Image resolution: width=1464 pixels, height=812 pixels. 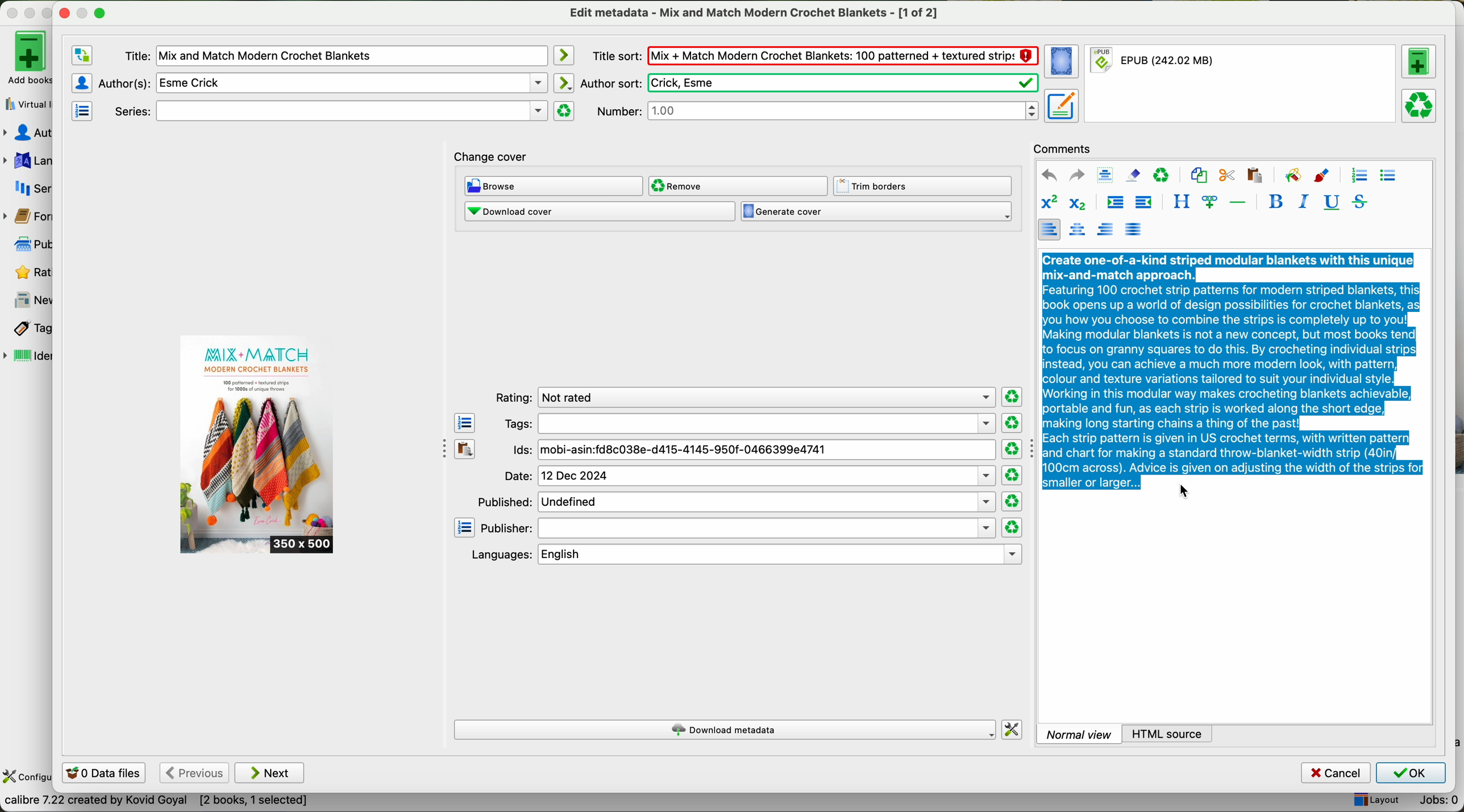 I want to click on undo, so click(x=1049, y=176).